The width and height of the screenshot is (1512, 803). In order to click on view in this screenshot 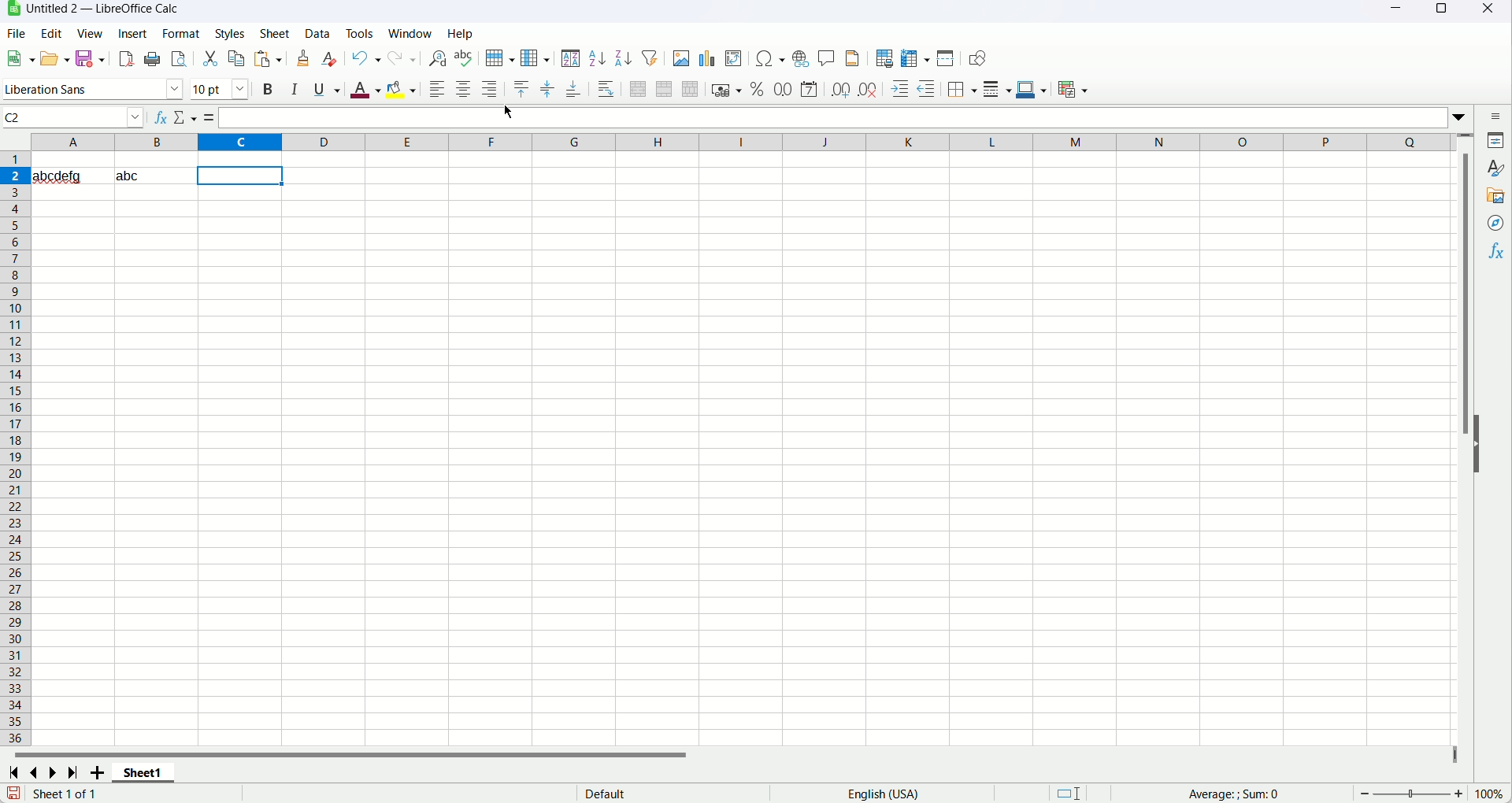, I will do `click(91, 32)`.